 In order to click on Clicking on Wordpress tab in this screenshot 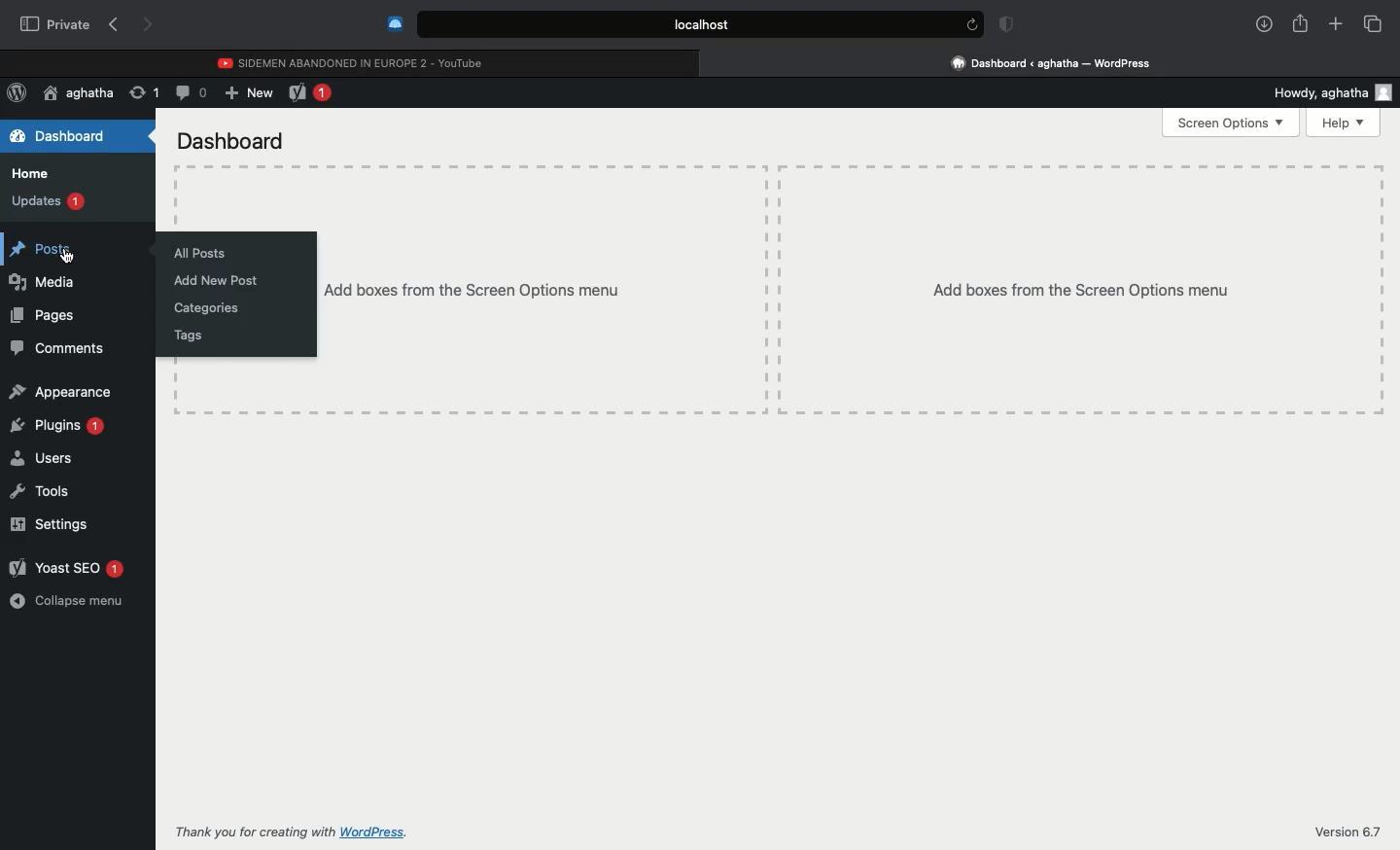, I will do `click(1052, 62)`.